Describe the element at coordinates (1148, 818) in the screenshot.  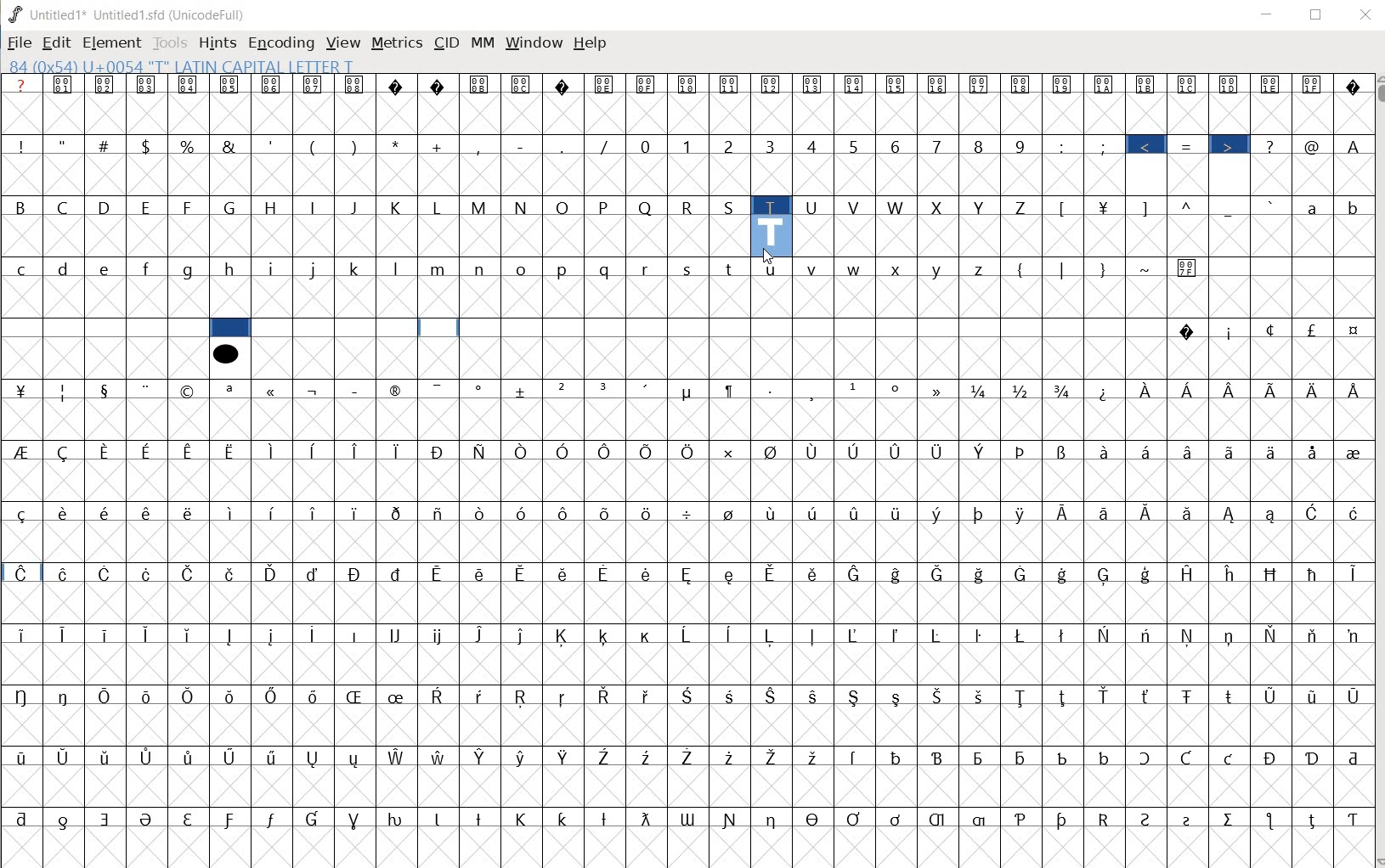
I see `Symbol` at that location.